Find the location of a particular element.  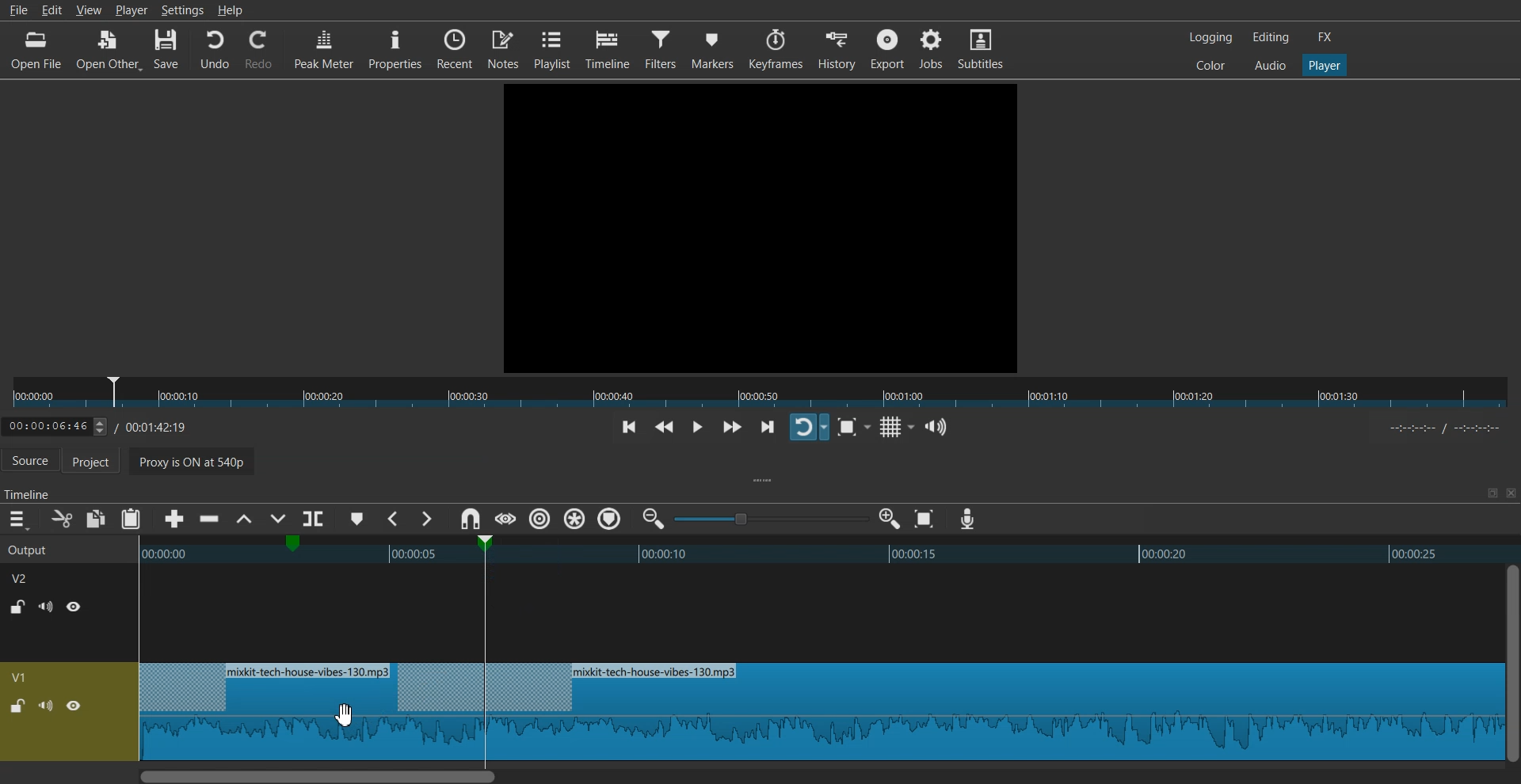

Vertical Scroll bar is located at coordinates (1511, 663).